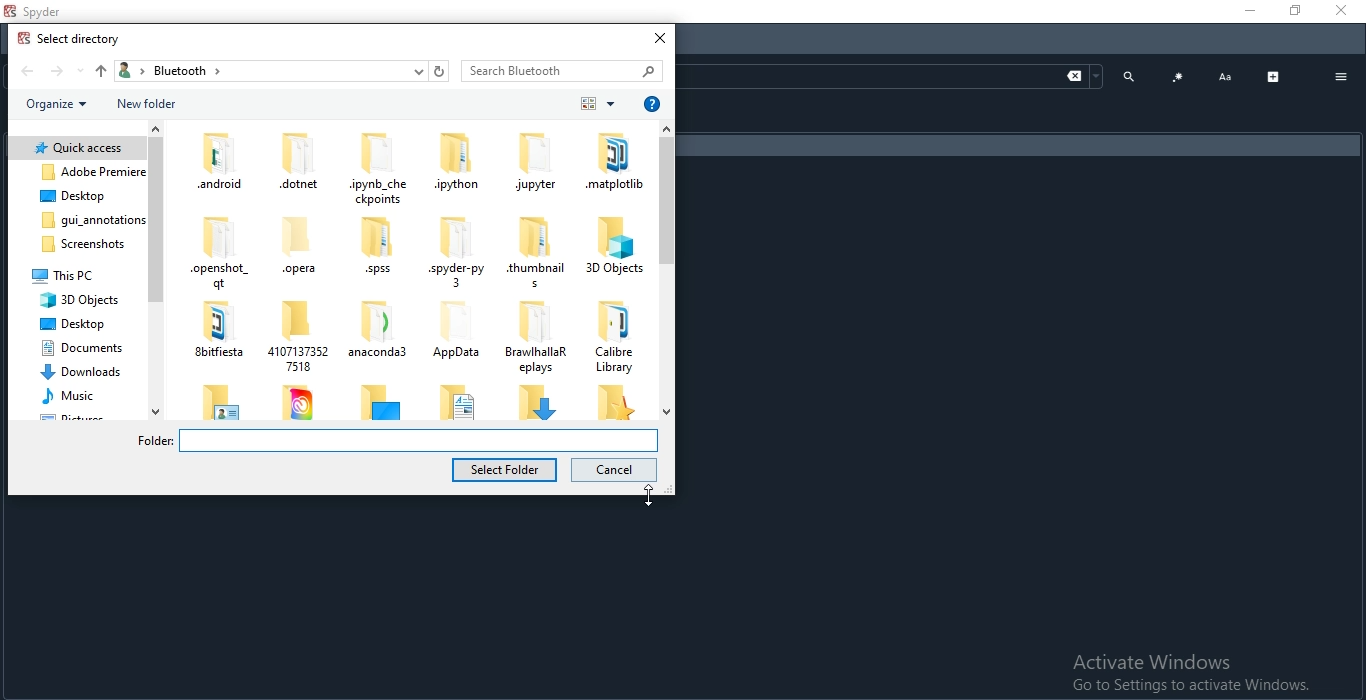 The image size is (1366, 700). I want to click on ipython, so click(459, 161).